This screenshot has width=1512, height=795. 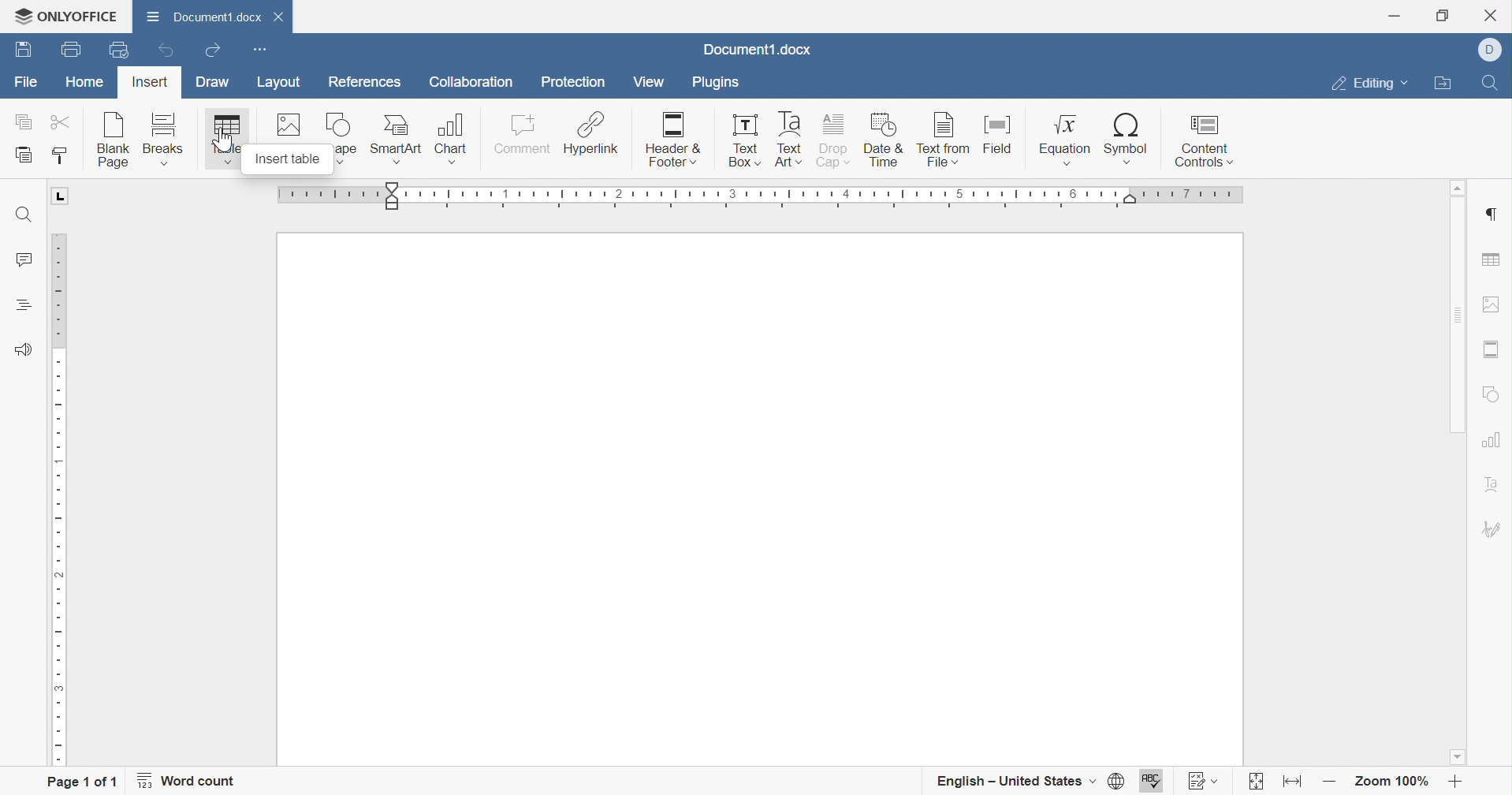 What do you see at coordinates (401, 140) in the screenshot?
I see `Smart art` at bounding box center [401, 140].